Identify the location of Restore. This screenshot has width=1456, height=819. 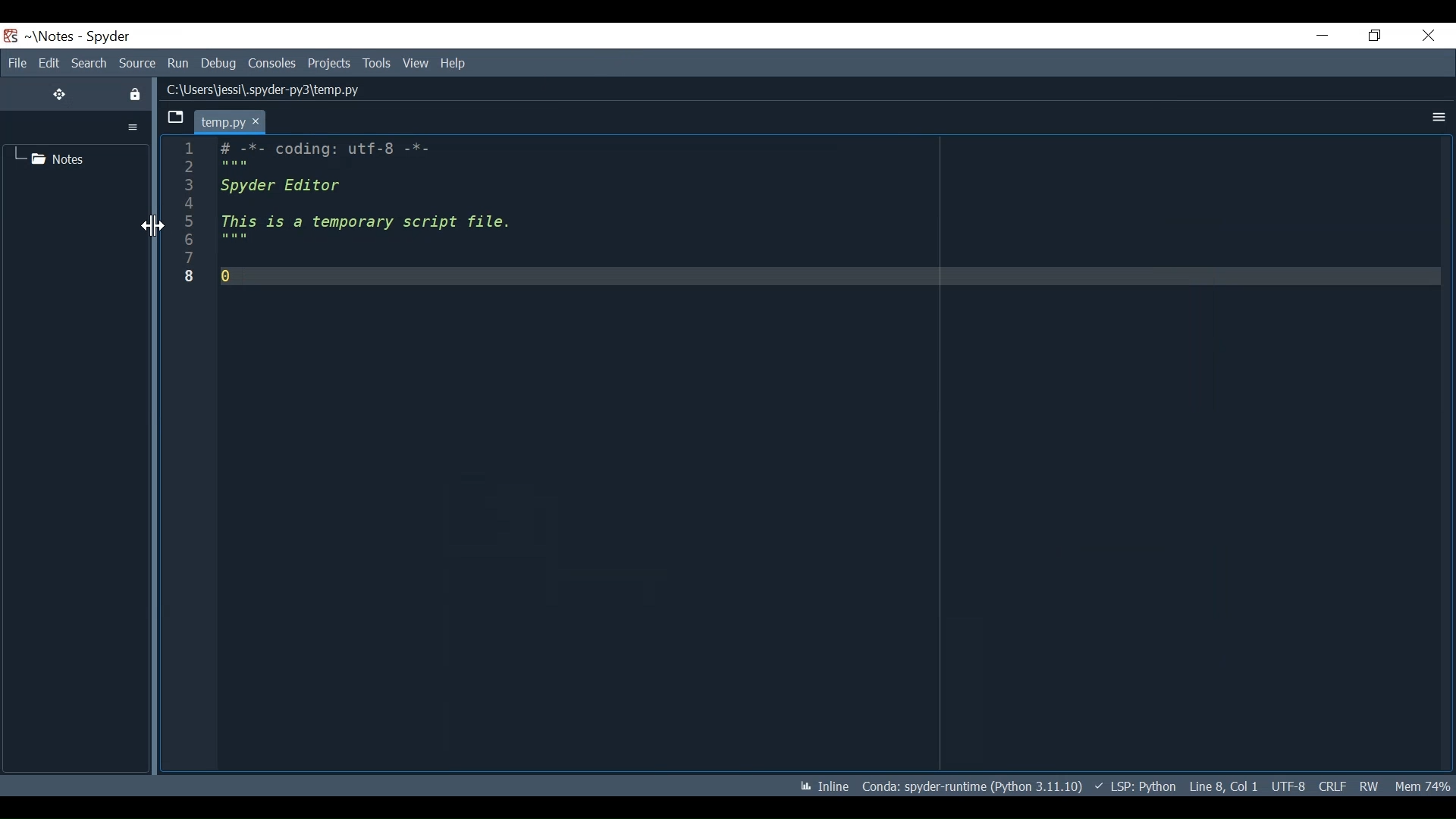
(1376, 36).